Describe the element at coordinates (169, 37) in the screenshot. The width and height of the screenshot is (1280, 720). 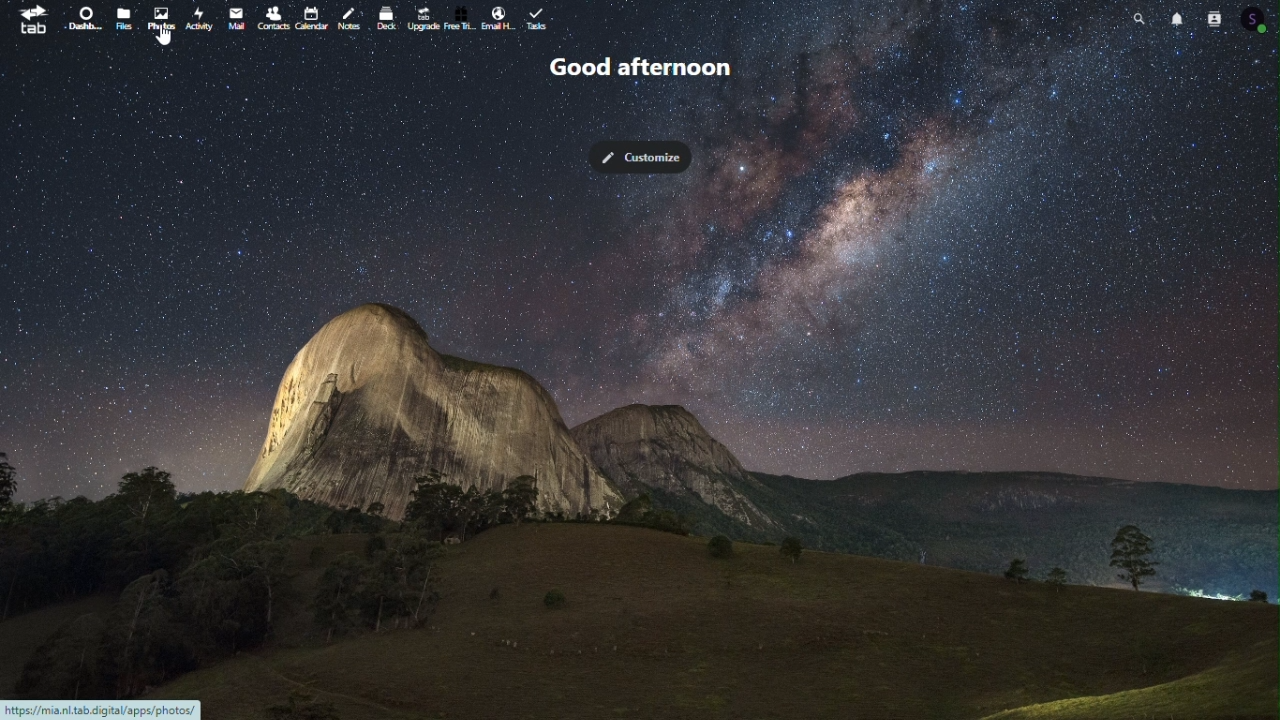
I see `cursor` at that location.